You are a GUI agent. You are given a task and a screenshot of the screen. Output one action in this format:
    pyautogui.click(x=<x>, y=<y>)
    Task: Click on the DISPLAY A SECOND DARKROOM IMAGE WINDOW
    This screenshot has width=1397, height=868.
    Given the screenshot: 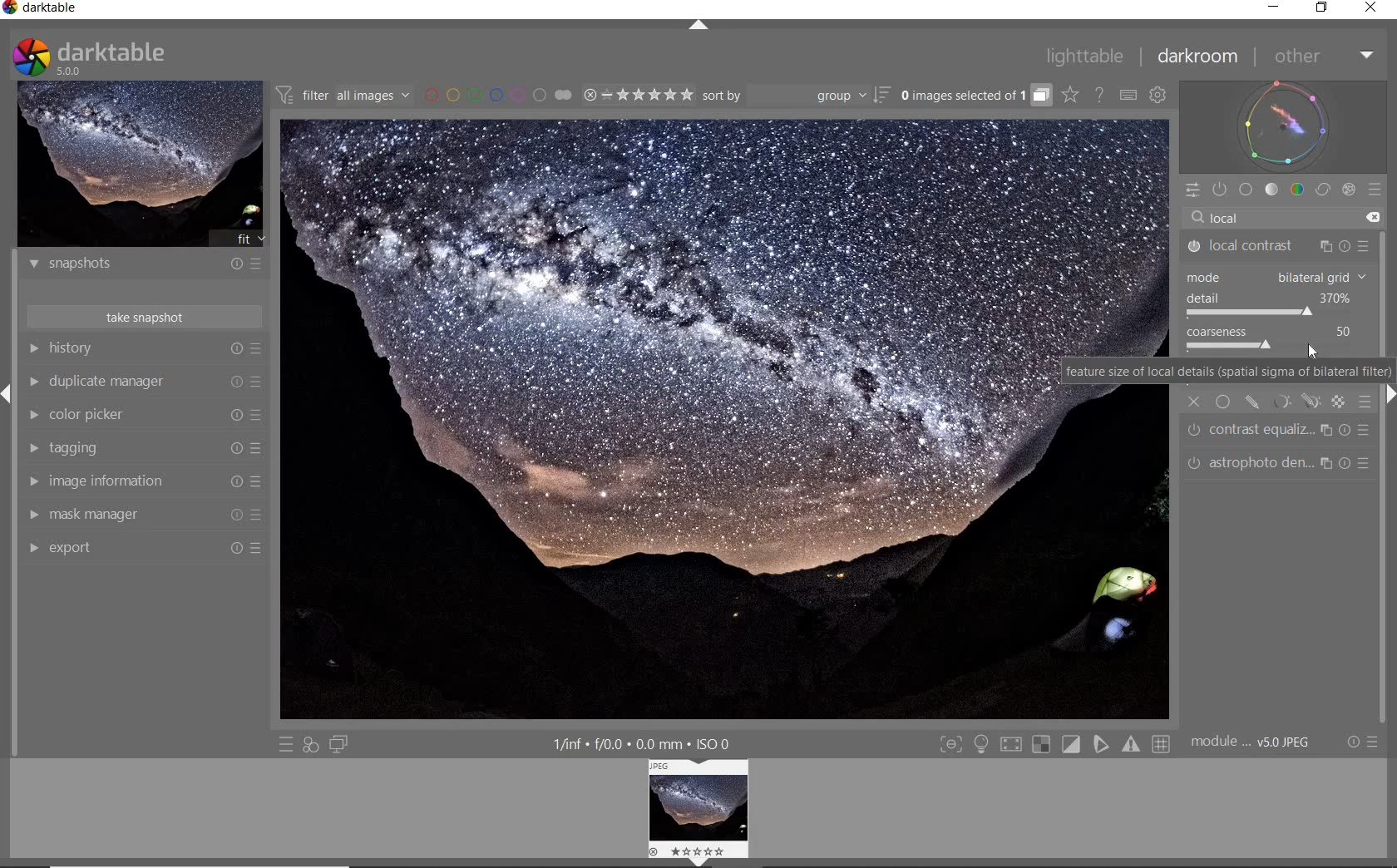 What is the action you would take?
    pyautogui.click(x=338, y=745)
    